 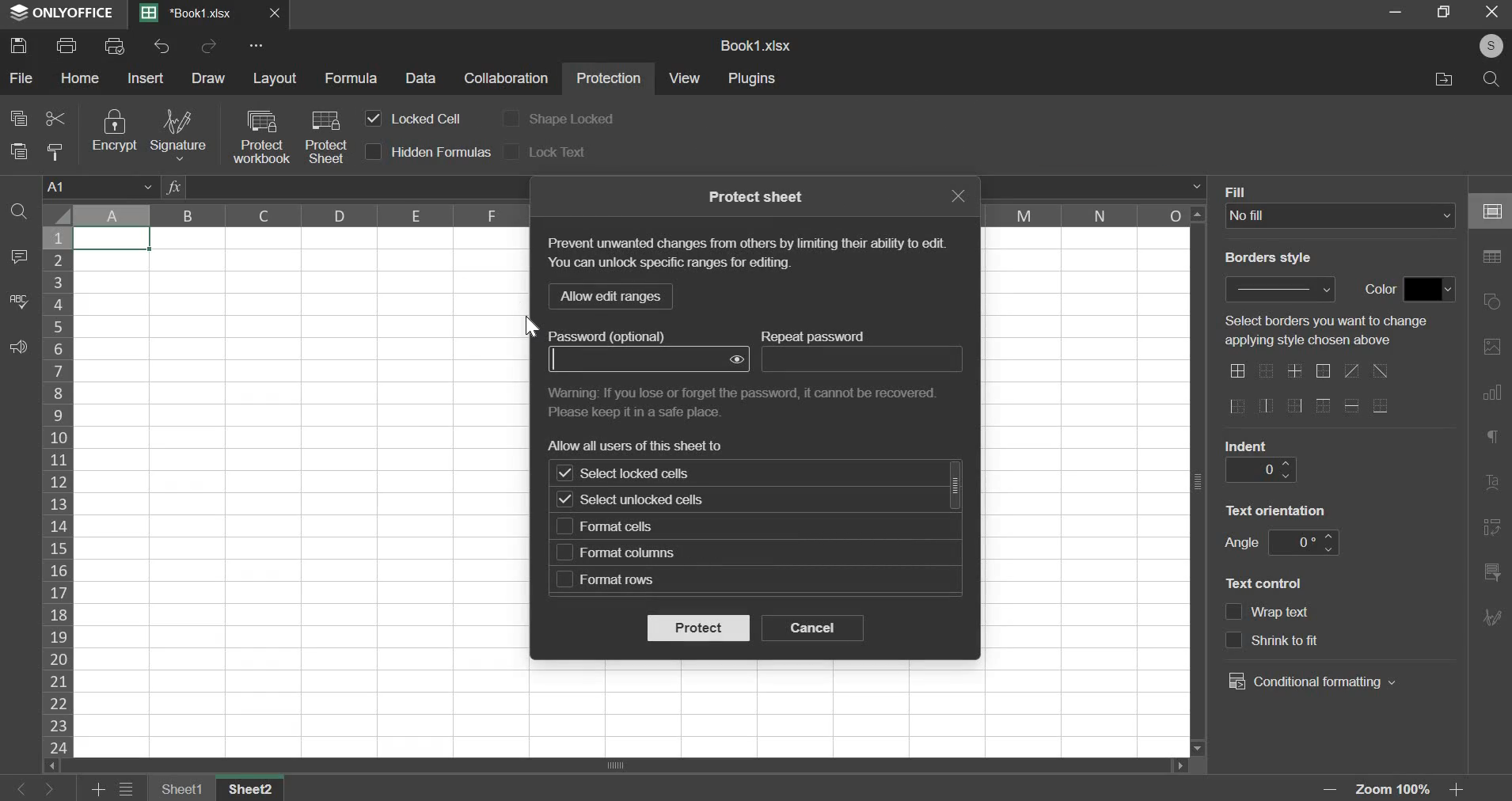 What do you see at coordinates (650, 473) in the screenshot?
I see `select locked cells` at bounding box center [650, 473].